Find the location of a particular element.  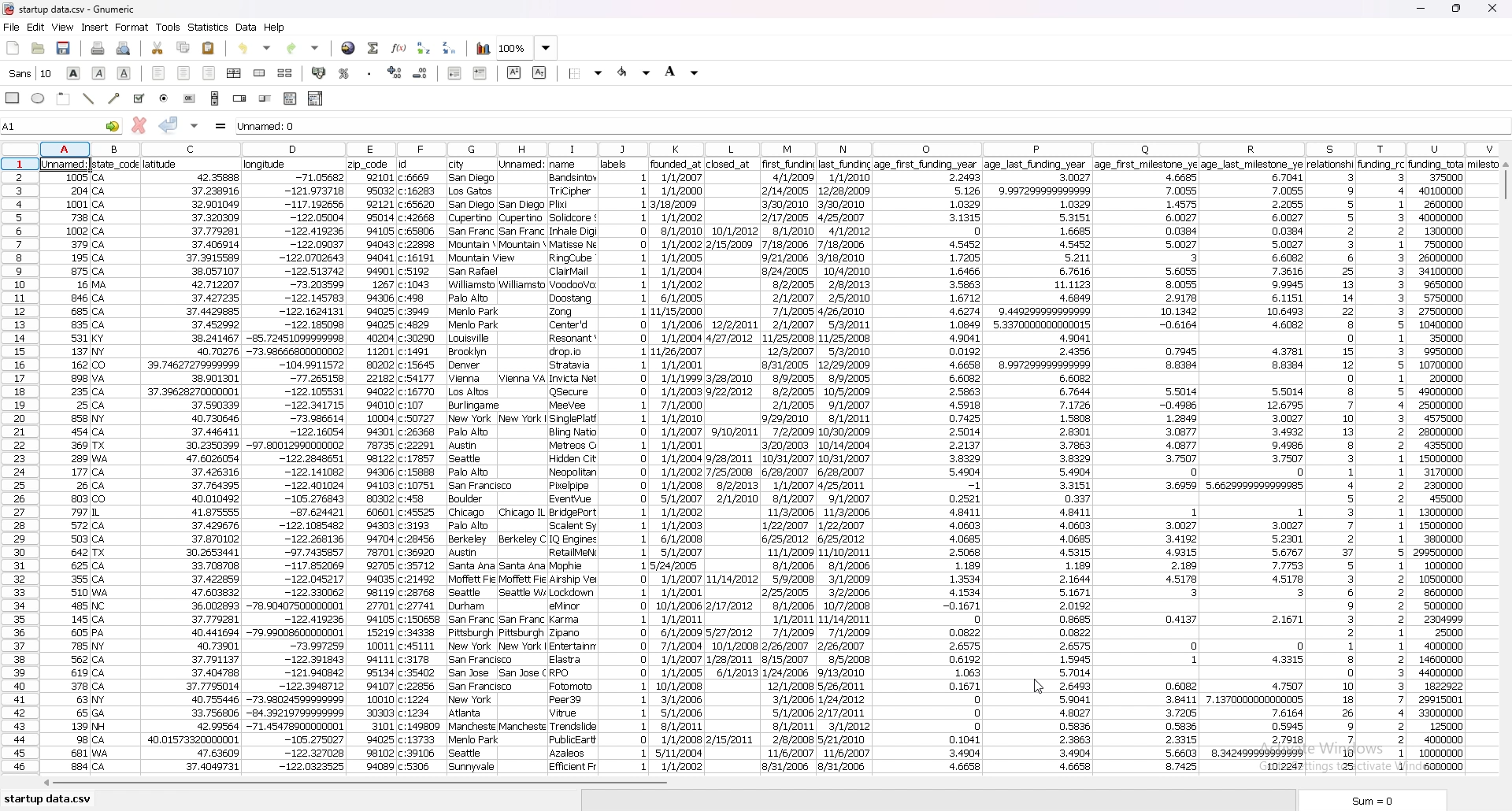

slider is located at coordinates (265, 99).